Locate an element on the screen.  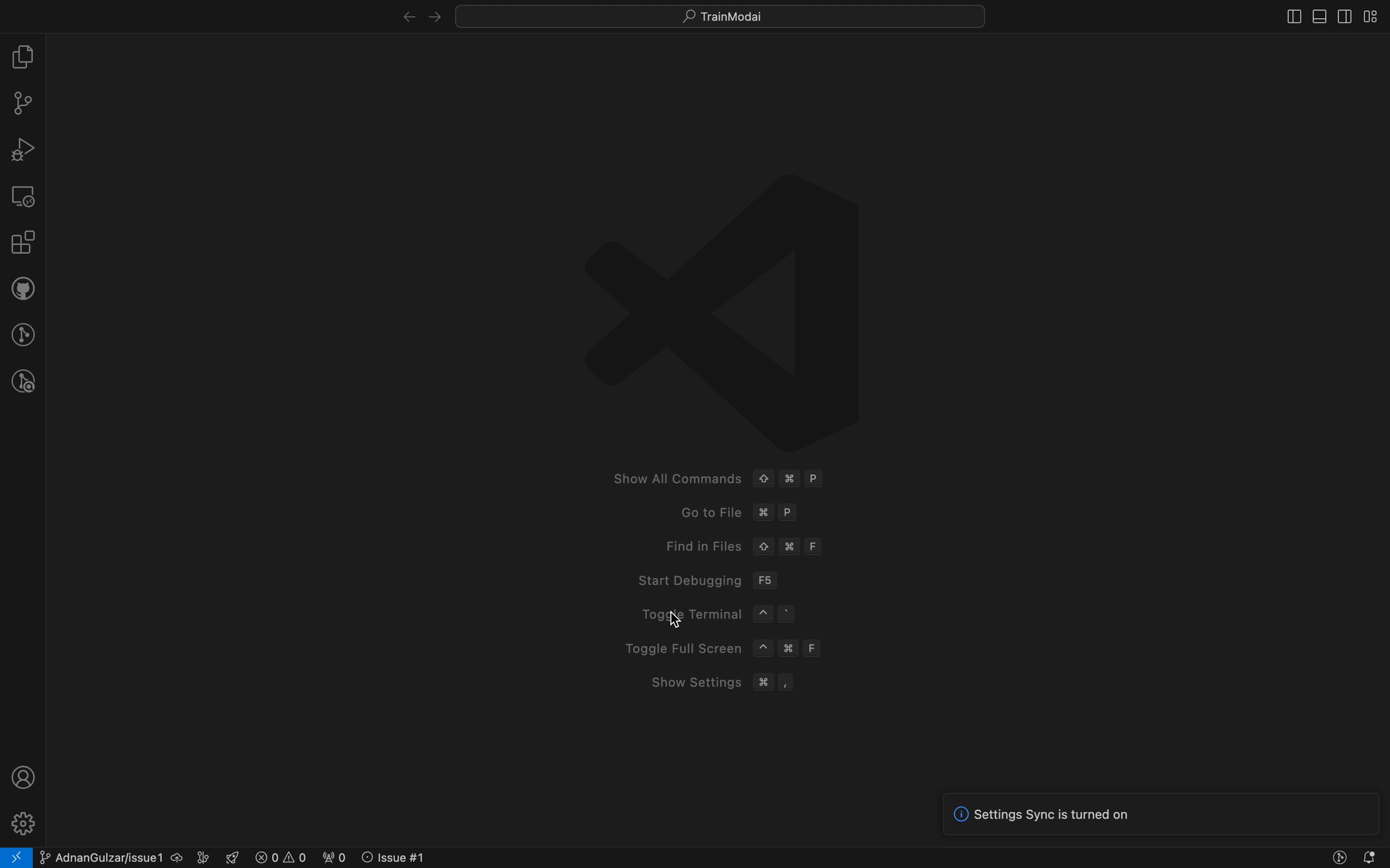
right arrow is located at coordinates (405, 14).